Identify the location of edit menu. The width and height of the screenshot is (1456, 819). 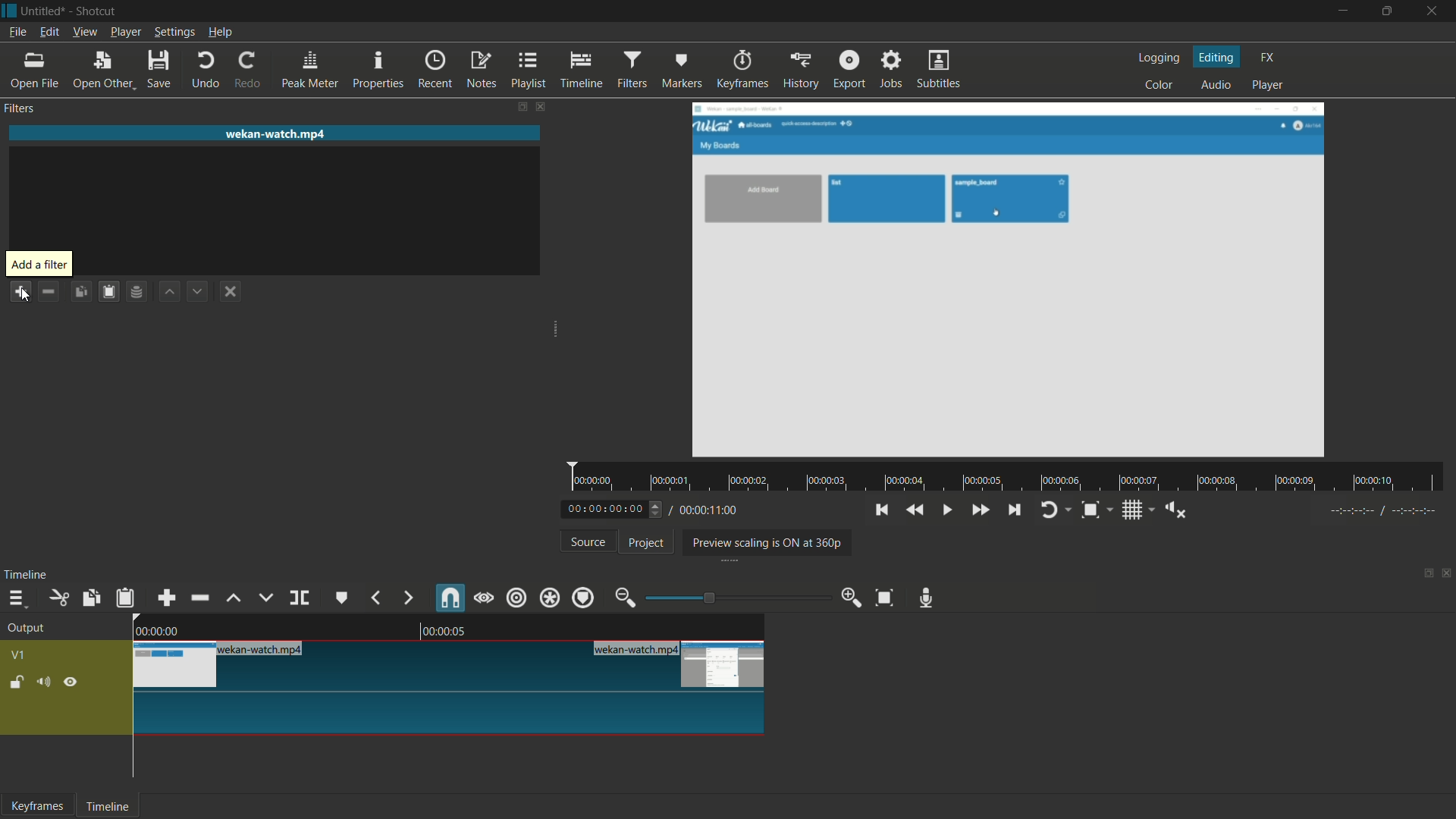
(49, 32).